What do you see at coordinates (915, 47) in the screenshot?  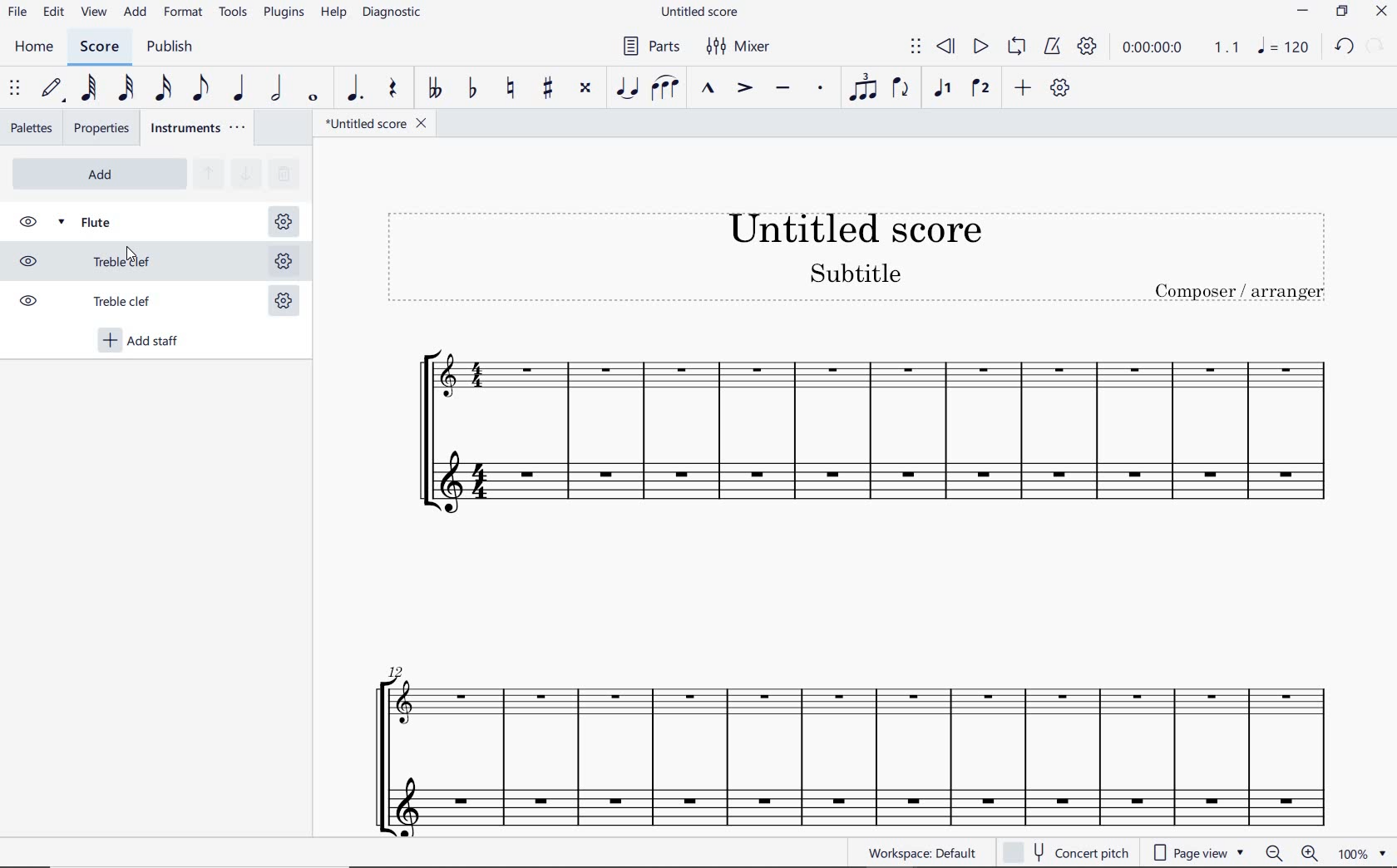 I see `SELECT TO MOVE` at bounding box center [915, 47].